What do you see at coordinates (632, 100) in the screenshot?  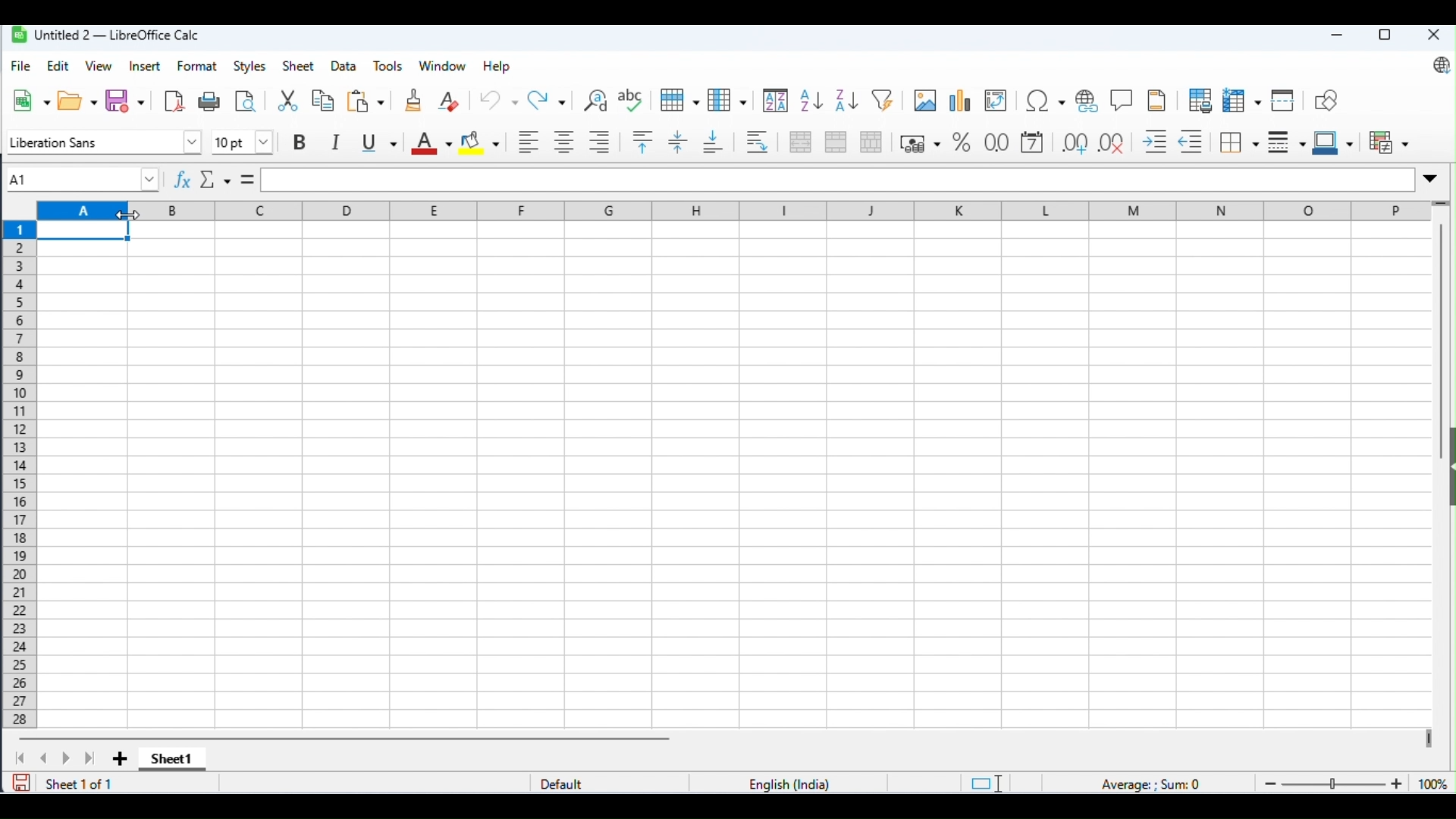 I see `spelling` at bounding box center [632, 100].